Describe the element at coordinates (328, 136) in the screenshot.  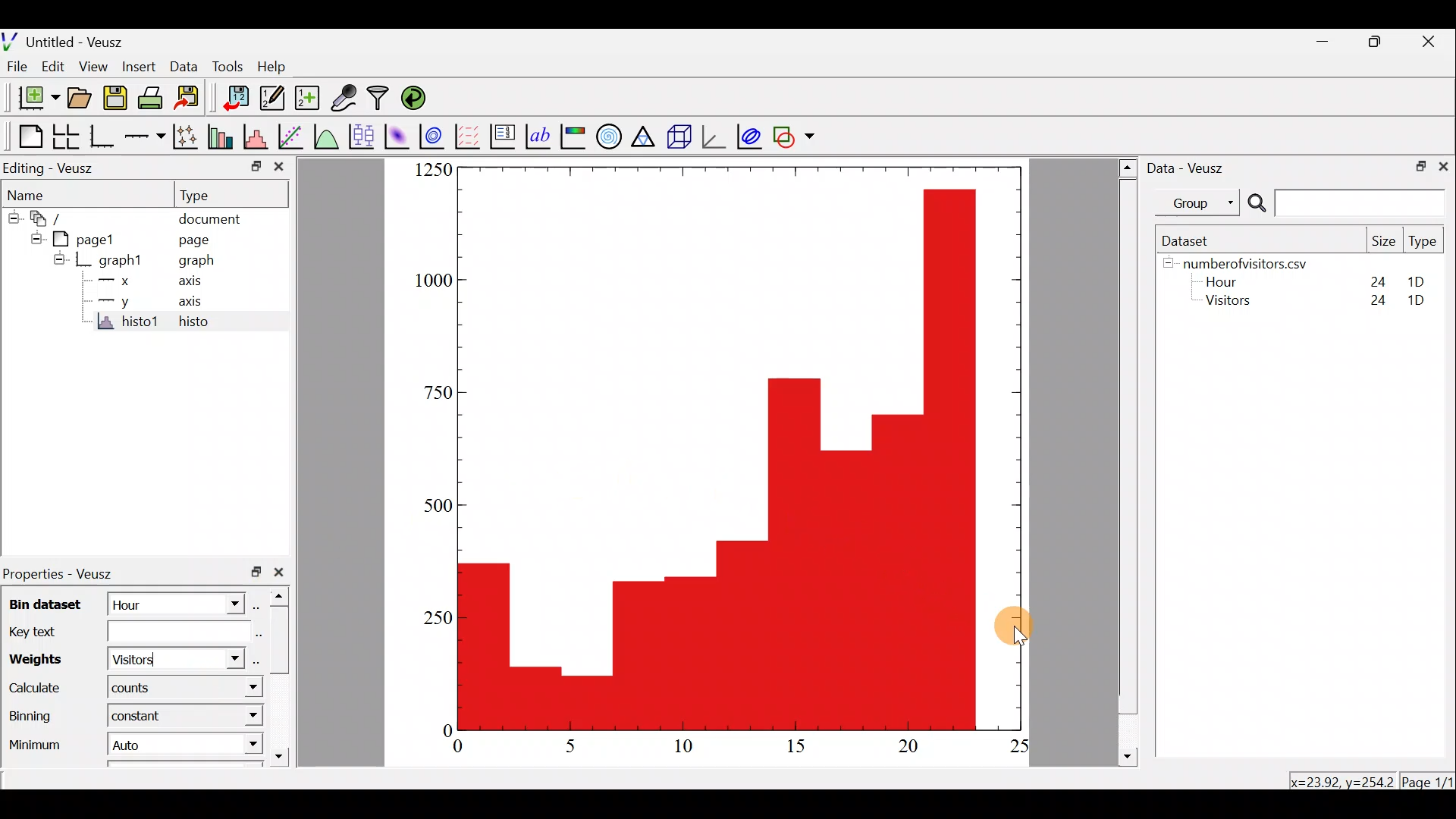
I see `plot a function` at that location.